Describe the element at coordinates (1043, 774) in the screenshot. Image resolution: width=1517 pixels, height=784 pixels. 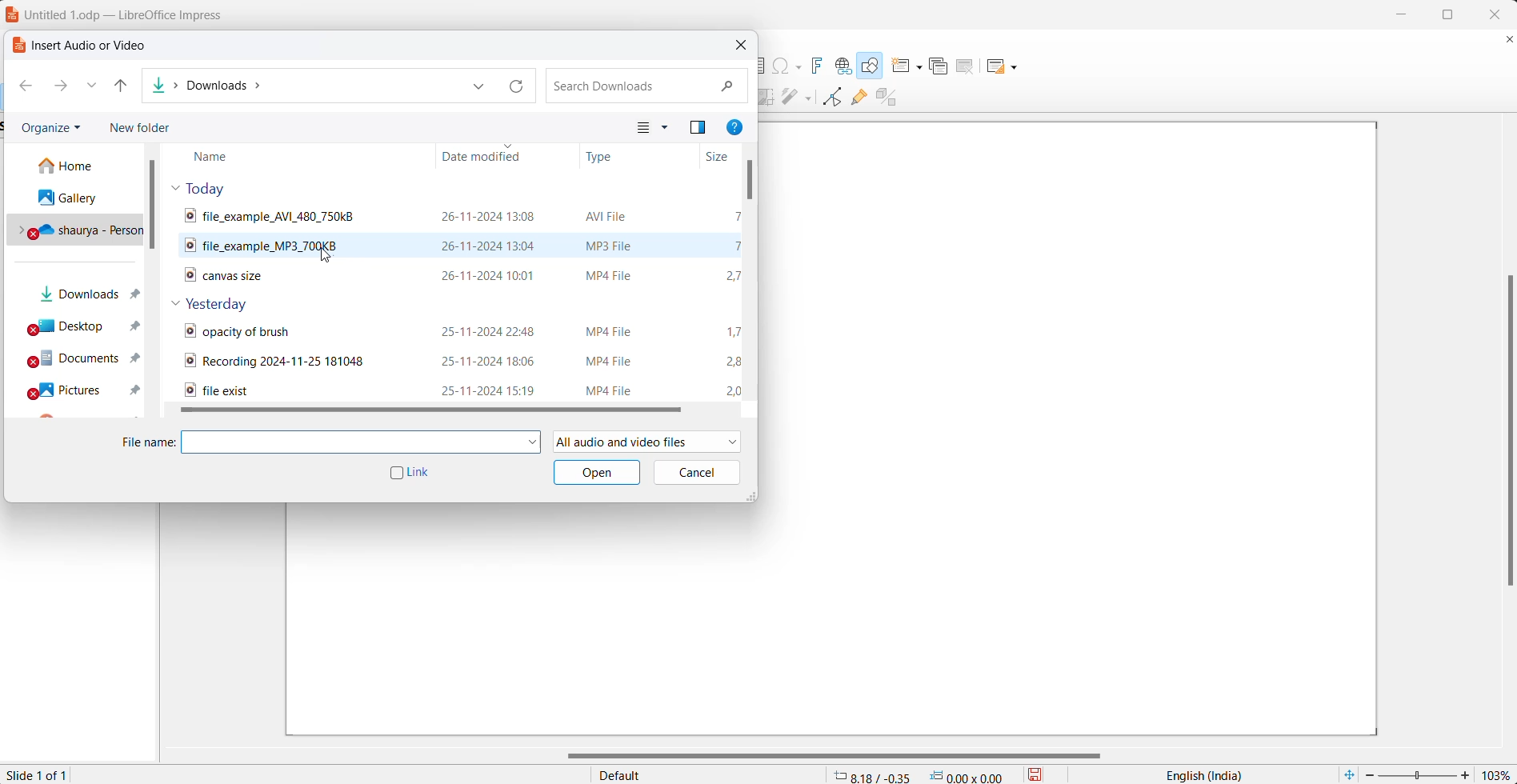
I see `save` at that location.